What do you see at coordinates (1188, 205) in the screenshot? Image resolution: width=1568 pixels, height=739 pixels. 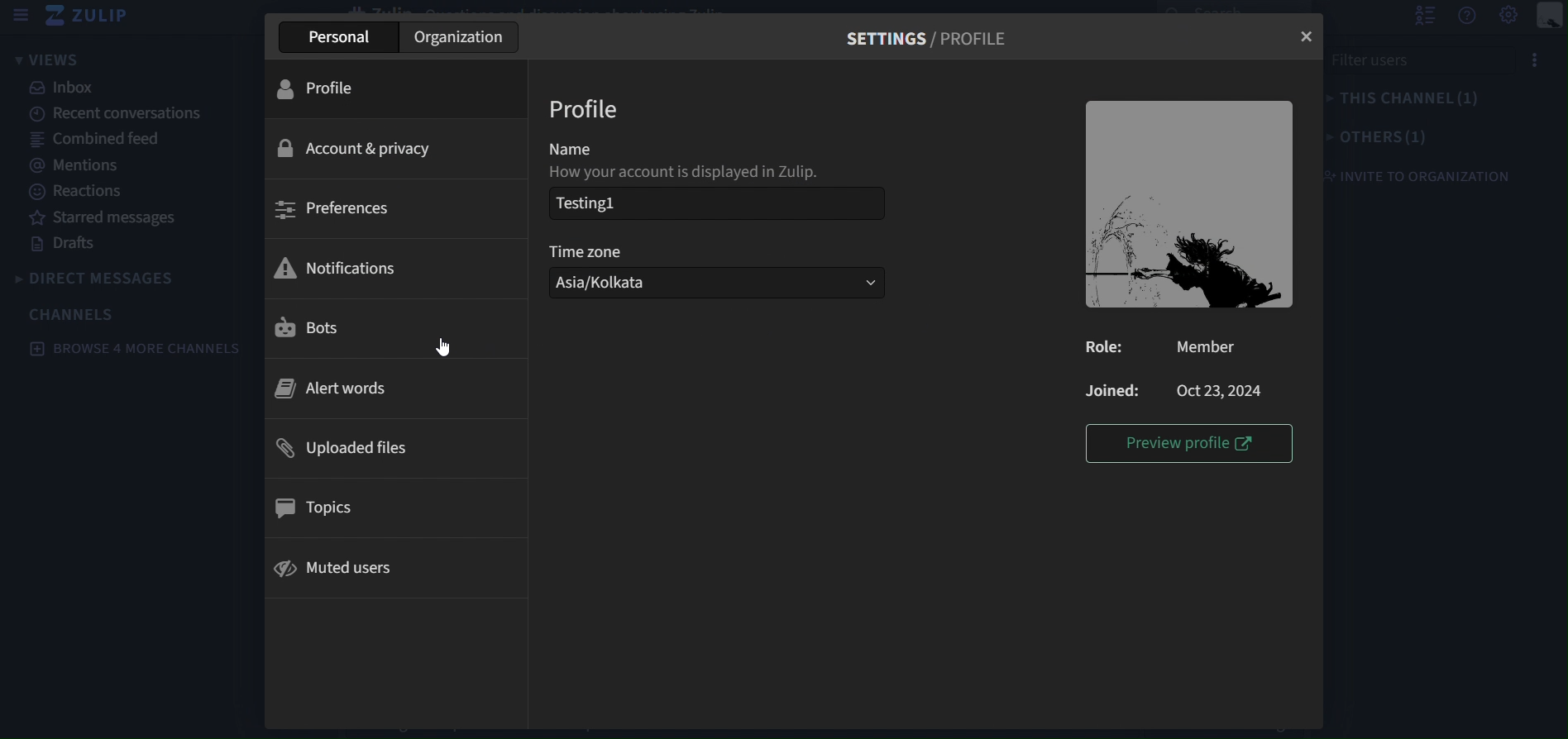 I see `image` at bounding box center [1188, 205].